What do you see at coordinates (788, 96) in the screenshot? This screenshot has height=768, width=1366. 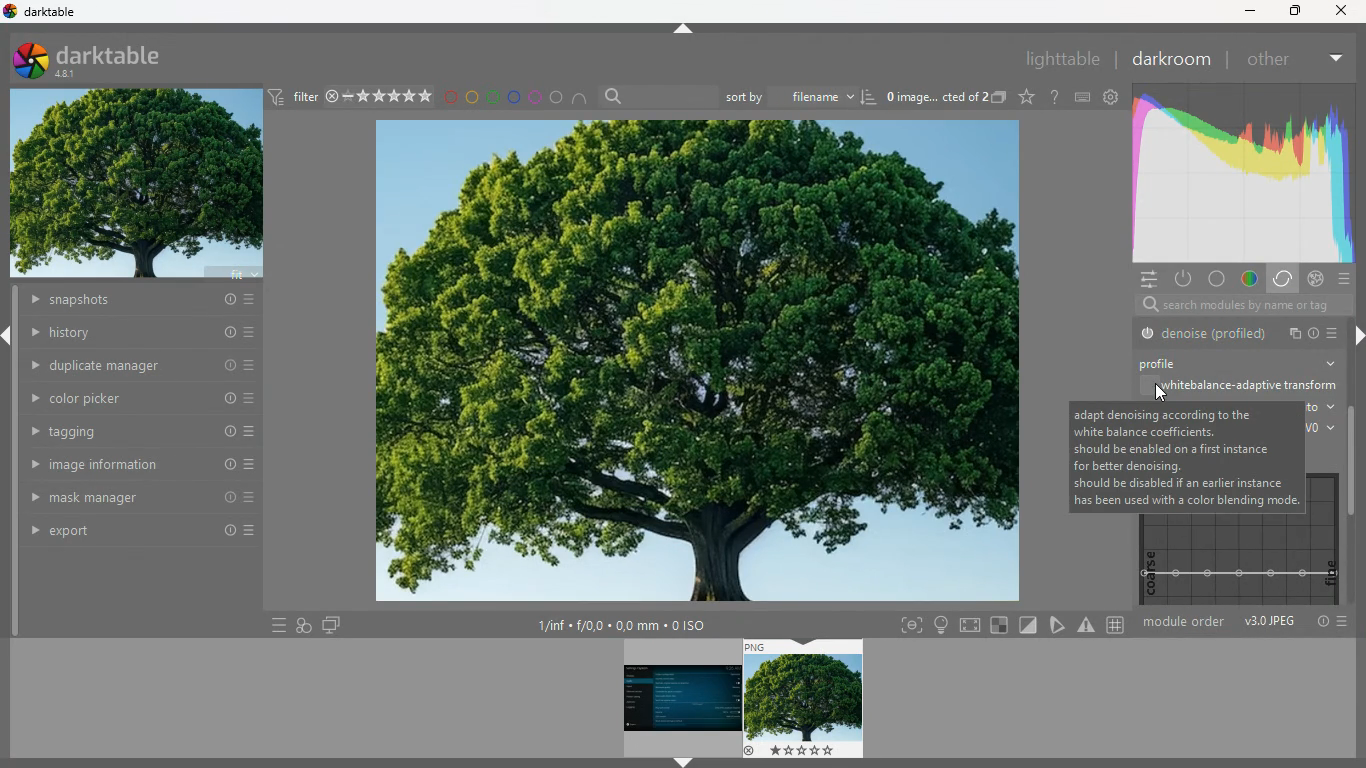 I see `sort by filename` at bounding box center [788, 96].